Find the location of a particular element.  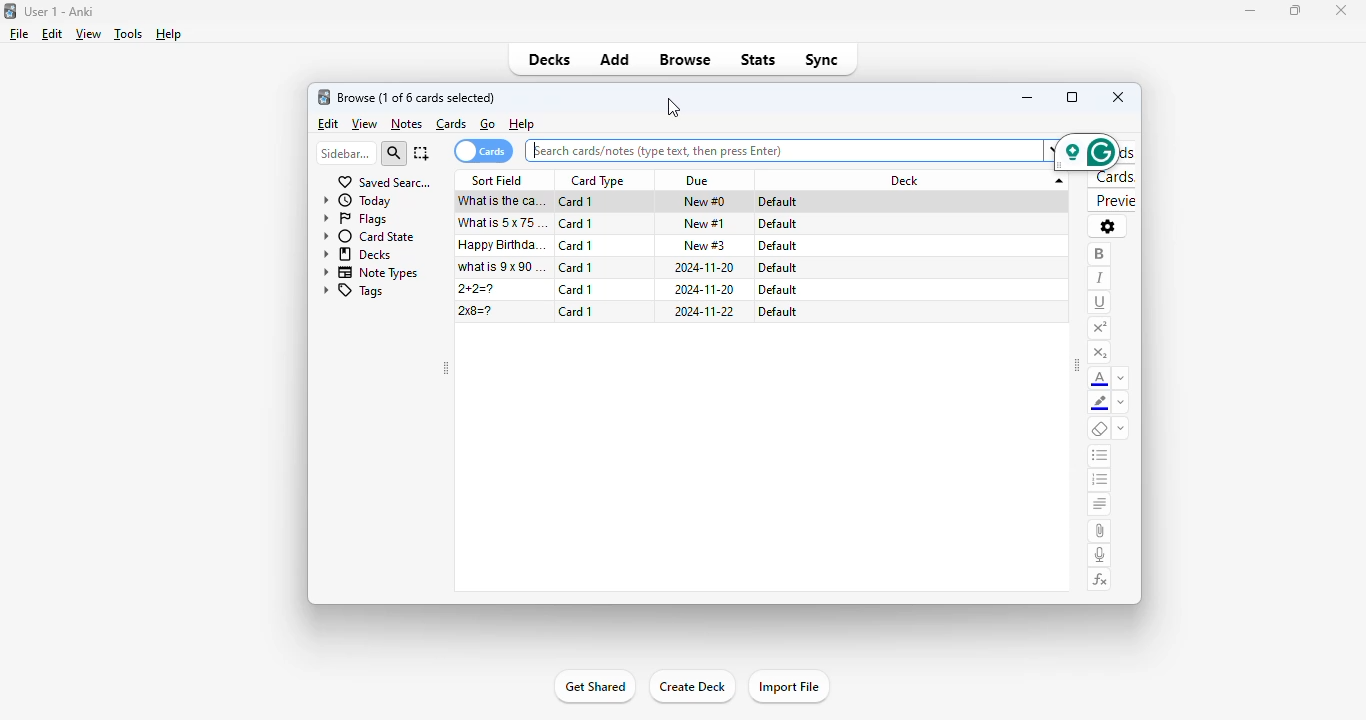

options is located at coordinates (1108, 227).